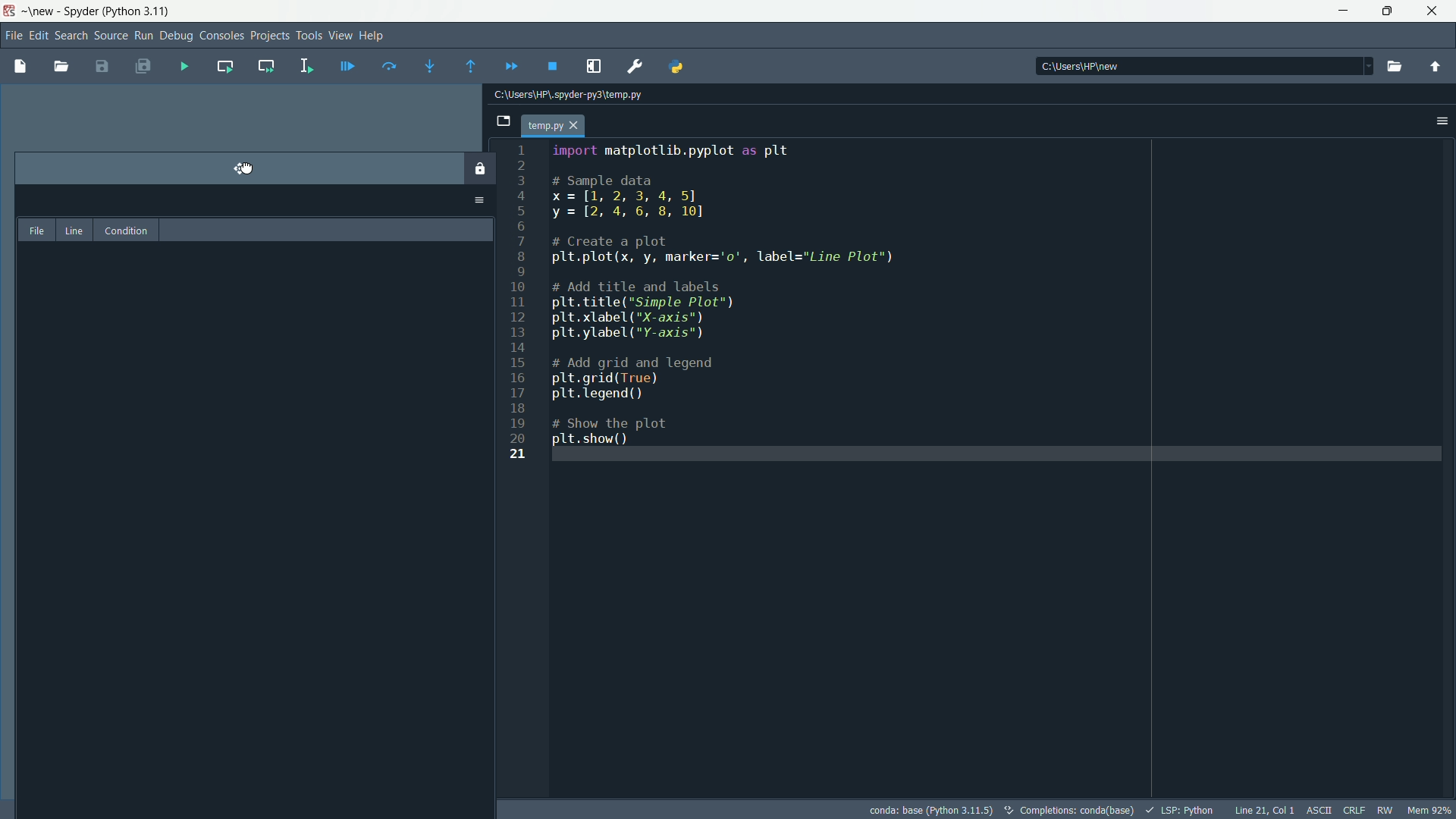 The width and height of the screenshot is (1456, 819). I want to click on run file, so click(185, 67).